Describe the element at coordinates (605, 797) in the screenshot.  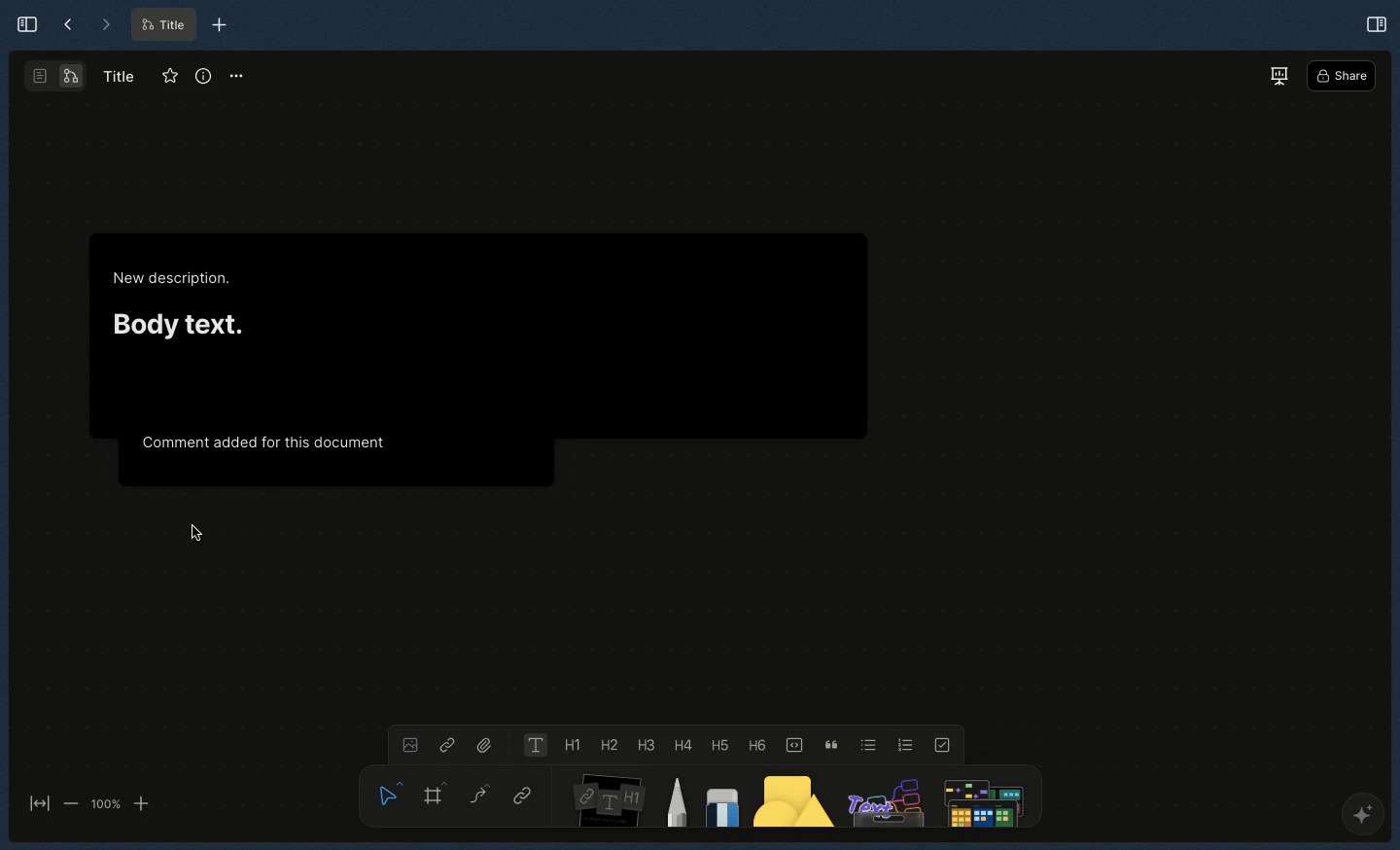
I see `Note` at that location.